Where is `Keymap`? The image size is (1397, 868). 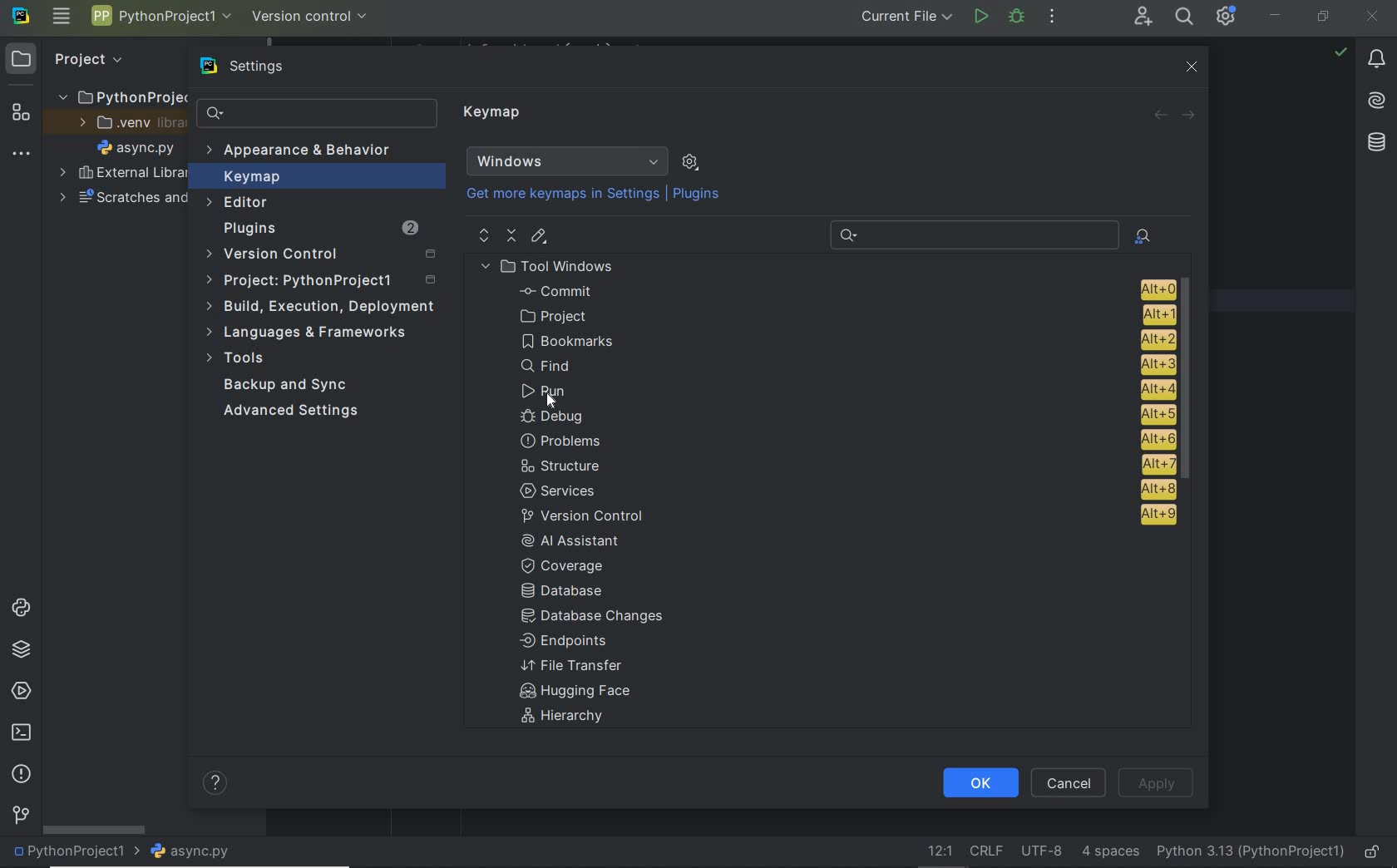 Keymap is located at coordinates (317, 176).